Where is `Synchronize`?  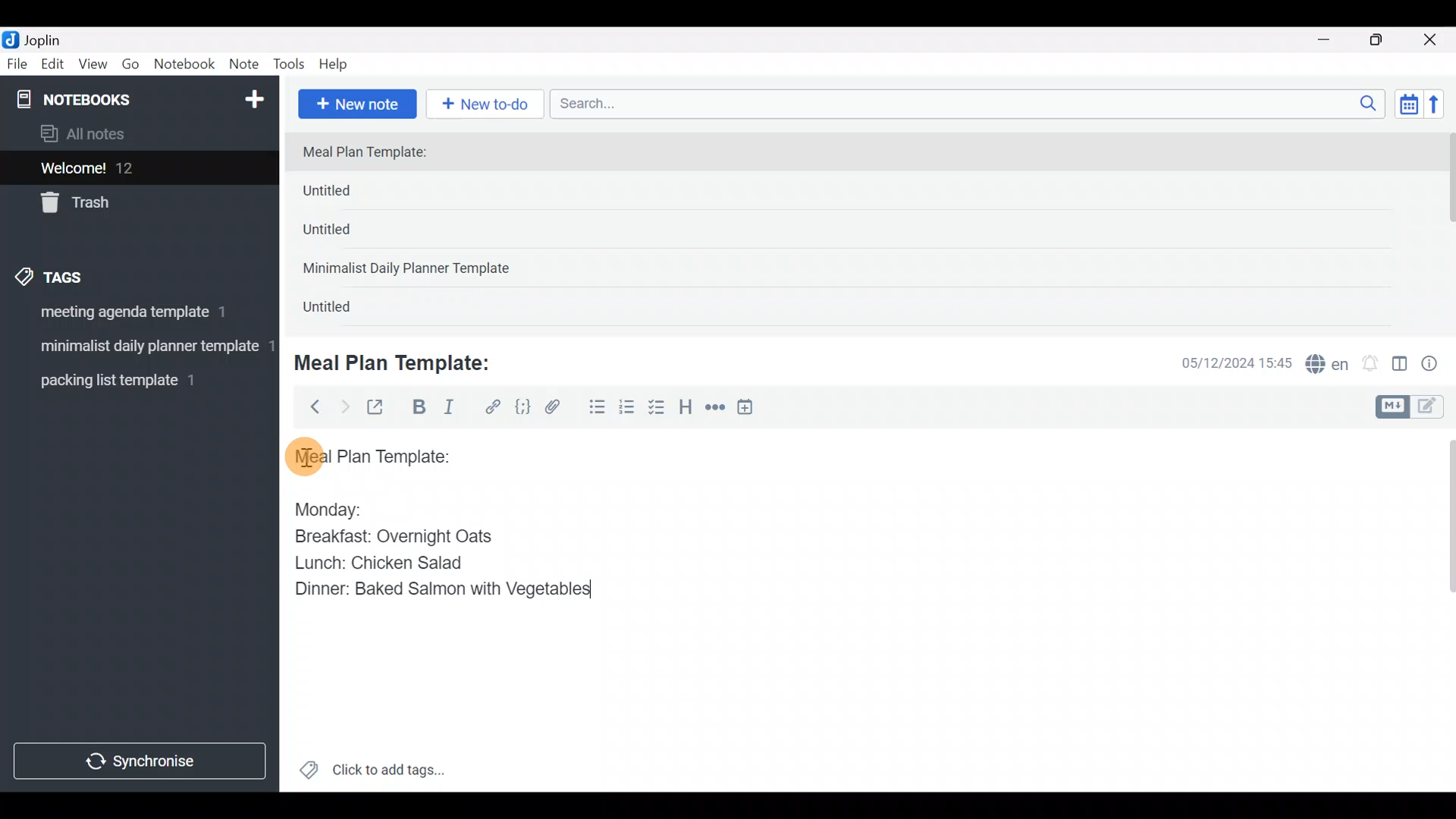 Synchronize is located at coordinates (142, 761).